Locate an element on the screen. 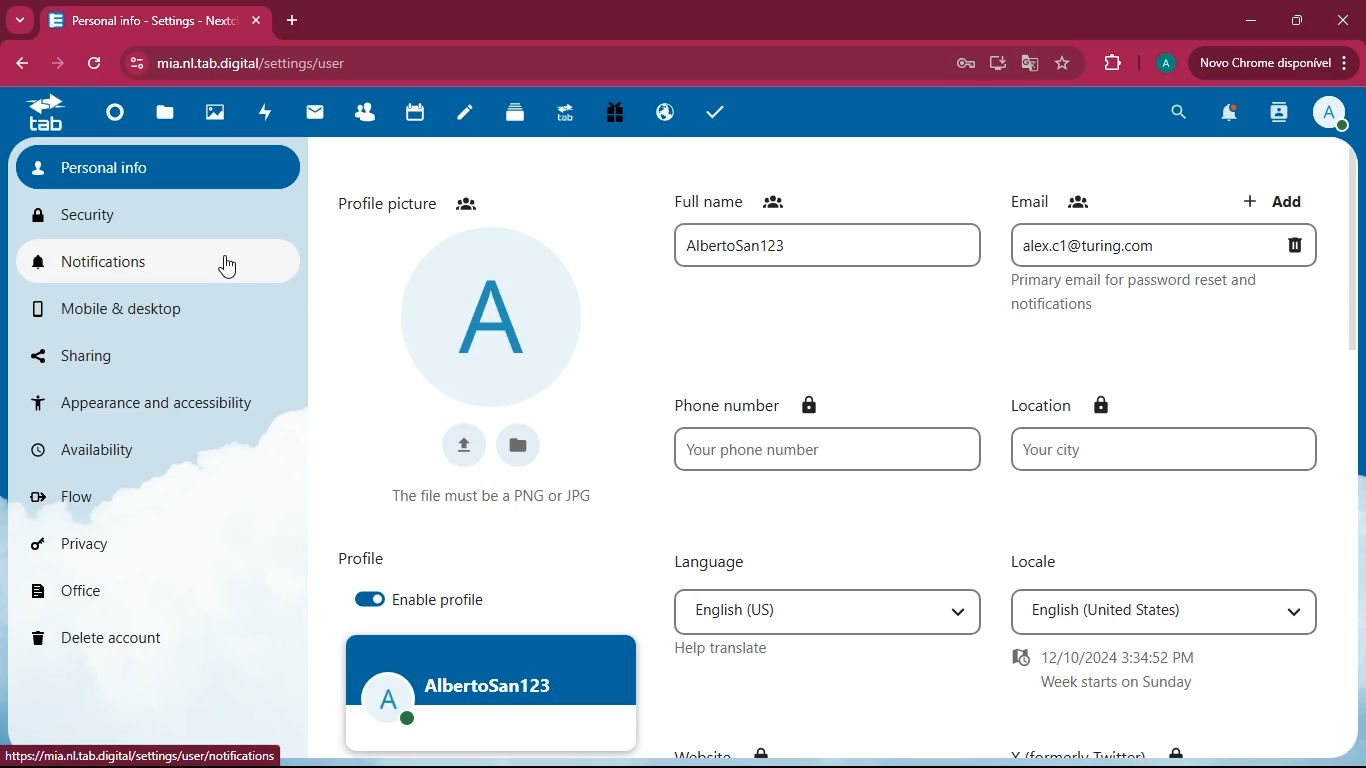 This screenshot has height=768, width=1366. profile picture is located at coordinates (489, 319).